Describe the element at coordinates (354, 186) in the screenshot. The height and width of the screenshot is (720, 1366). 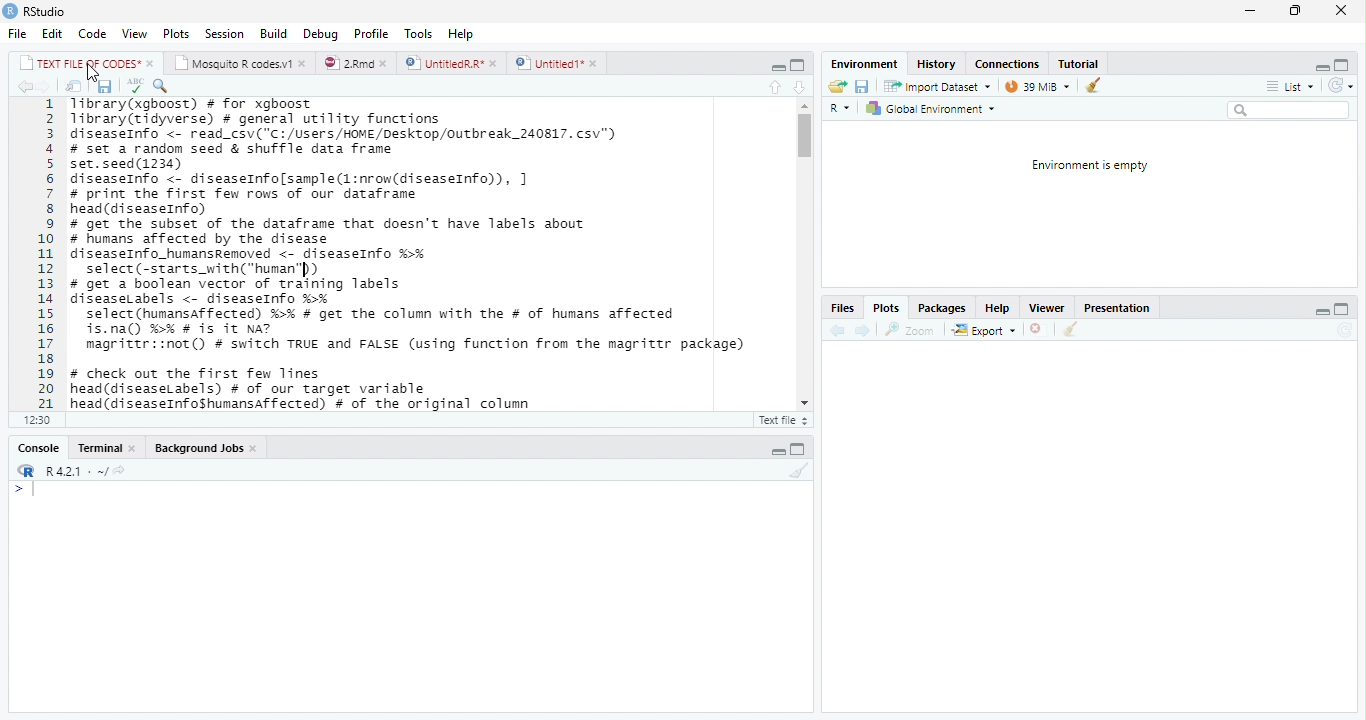
I see `library(xgboost) # for xgboost
Tibrary(tidyverse) # general utility functions
diseaseInfo <- read_csv("C:/users/HOME/Desktop/outbreak 240817. csv")
# set a random seed & shuffle data frame
set.seed(1234)
diseaseInfo <- diseaseInfolsample(1:nrow(diseaseInfo)),
# print the first few rows of our dataframe
head(diseaselnfo)
# get the subset of the dataframe that doesn't have labels about
# humans affected by the disease
diseaseInfo_humansRenoved <- diseaseInfo %-%
celect(-<tarte with("human"b)` at that location.